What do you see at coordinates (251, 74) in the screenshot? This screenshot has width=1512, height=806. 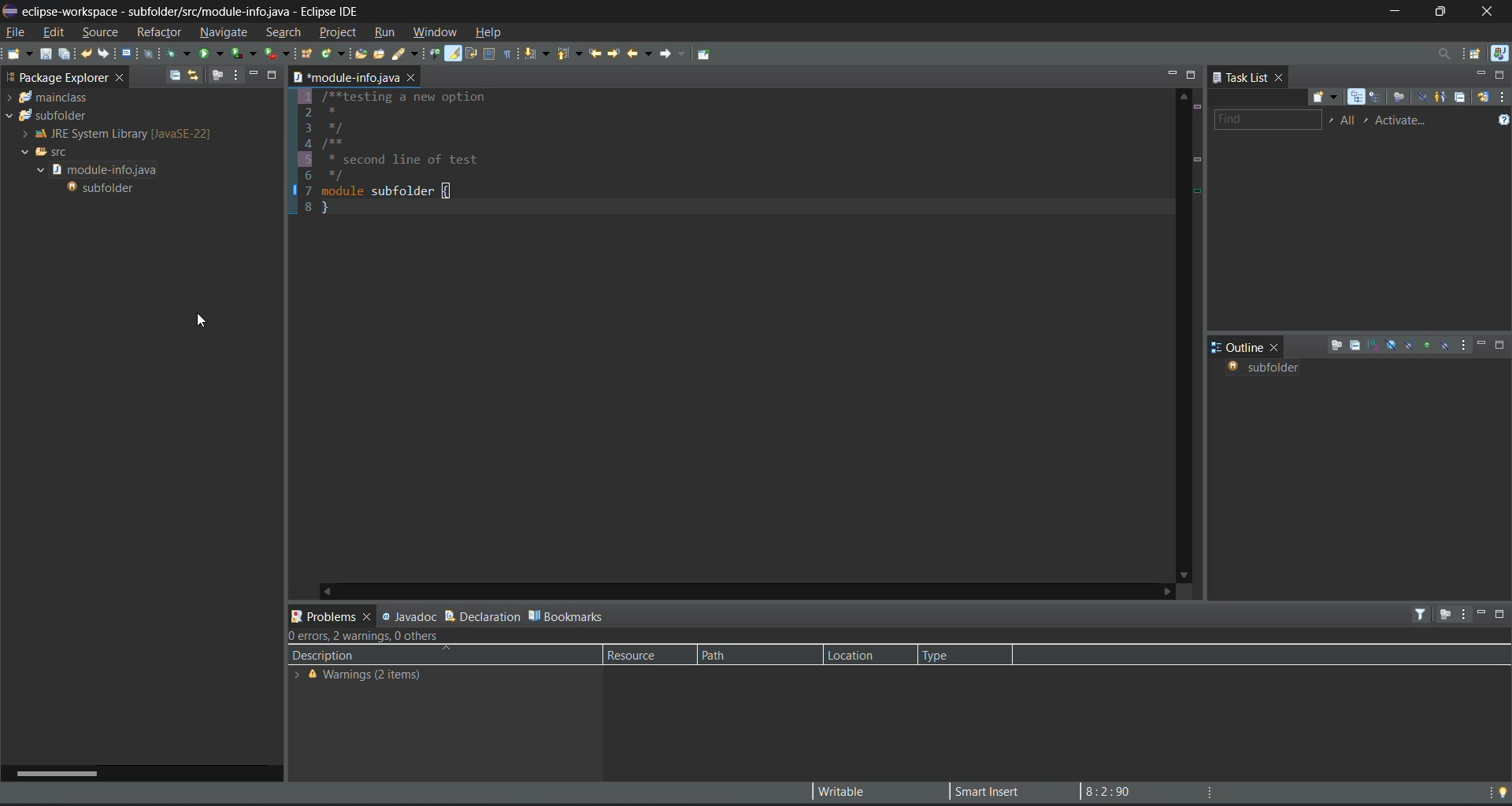 I see `minimize` at bounding box center [251, 74].